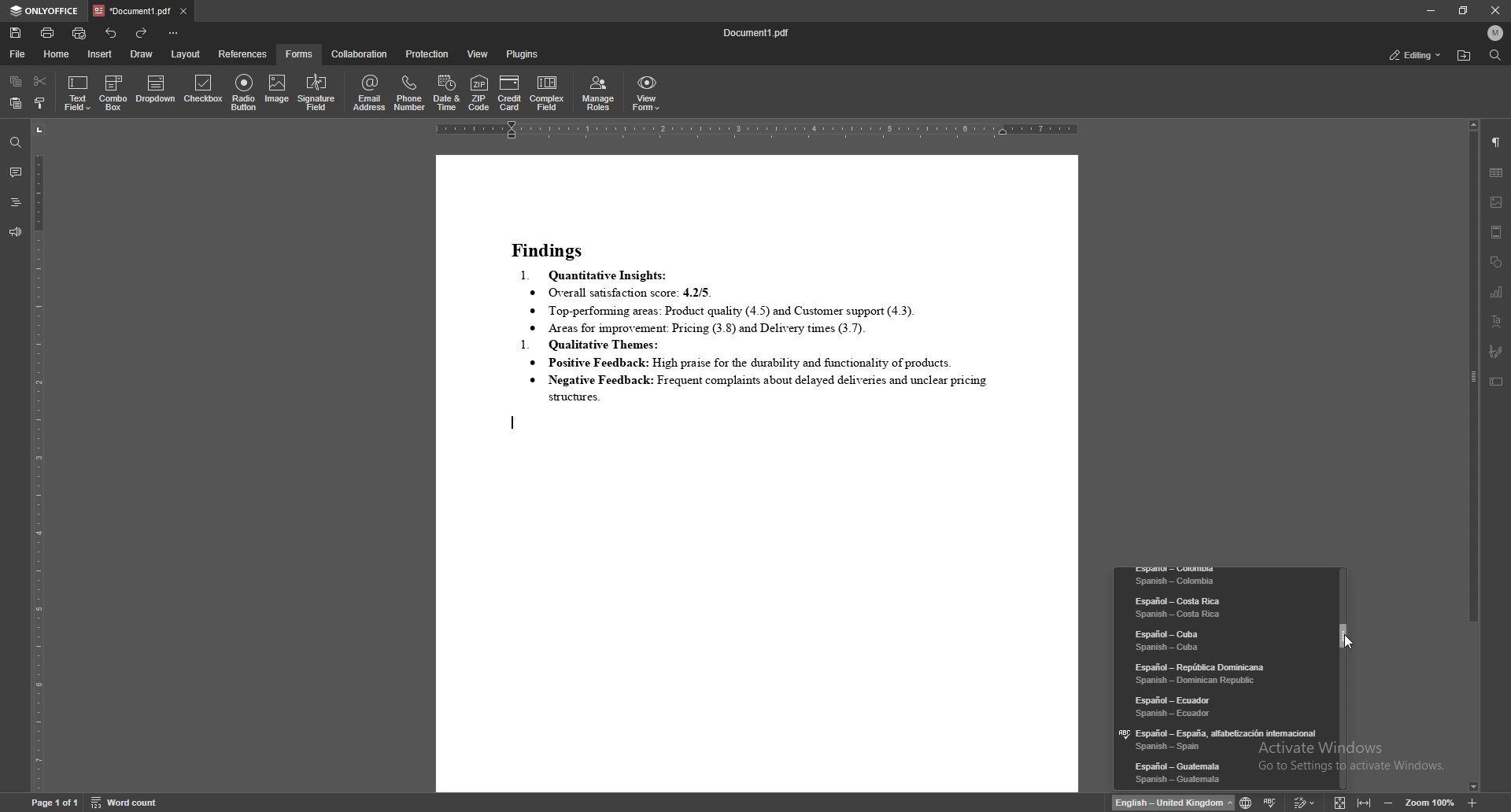 The width and height of the screenshot is (1511, 812). Describe the element at coordinates (1497, 263) in the screenshot. I see `shapes` at that location.